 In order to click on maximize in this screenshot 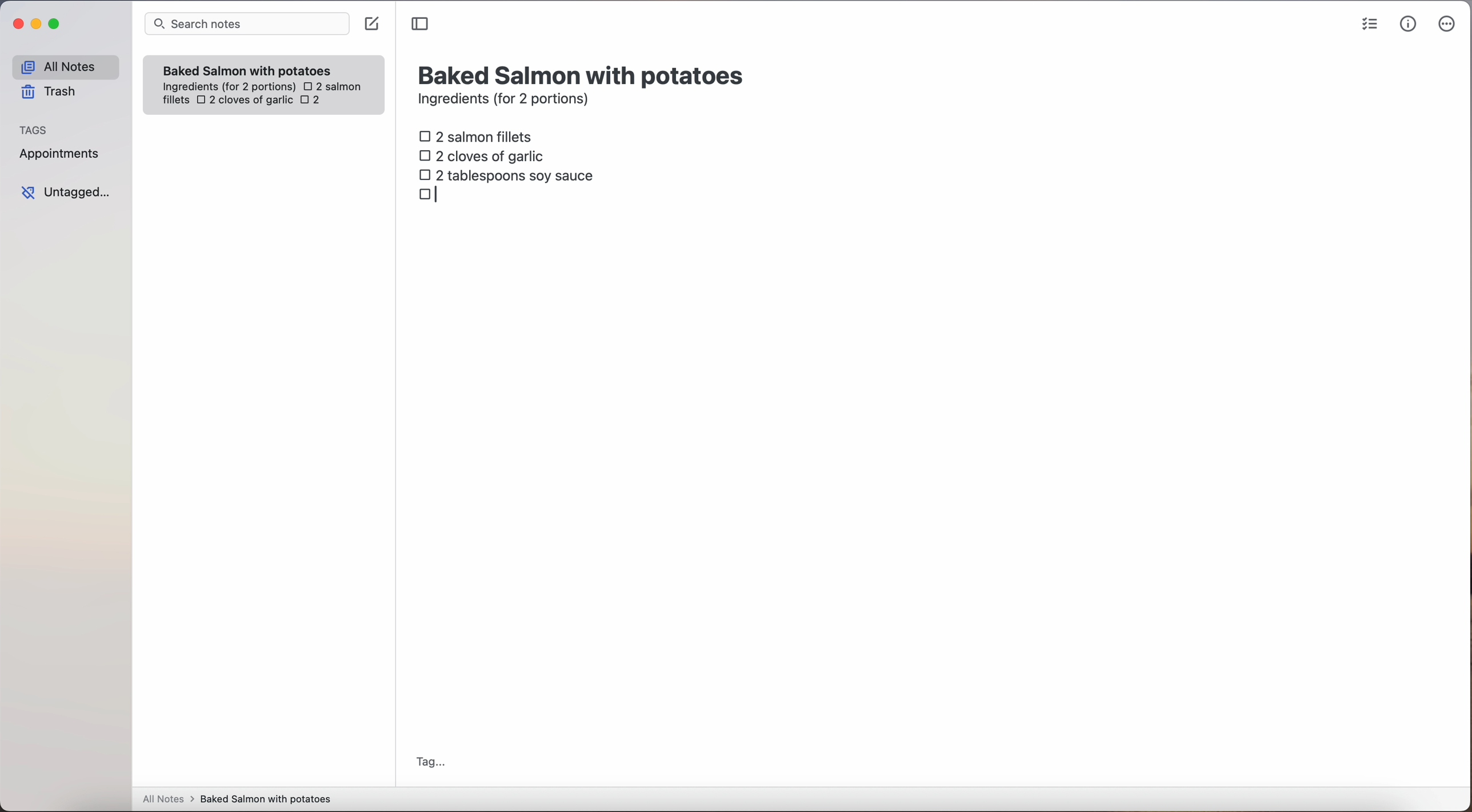, I will do `click(56, 23)`.